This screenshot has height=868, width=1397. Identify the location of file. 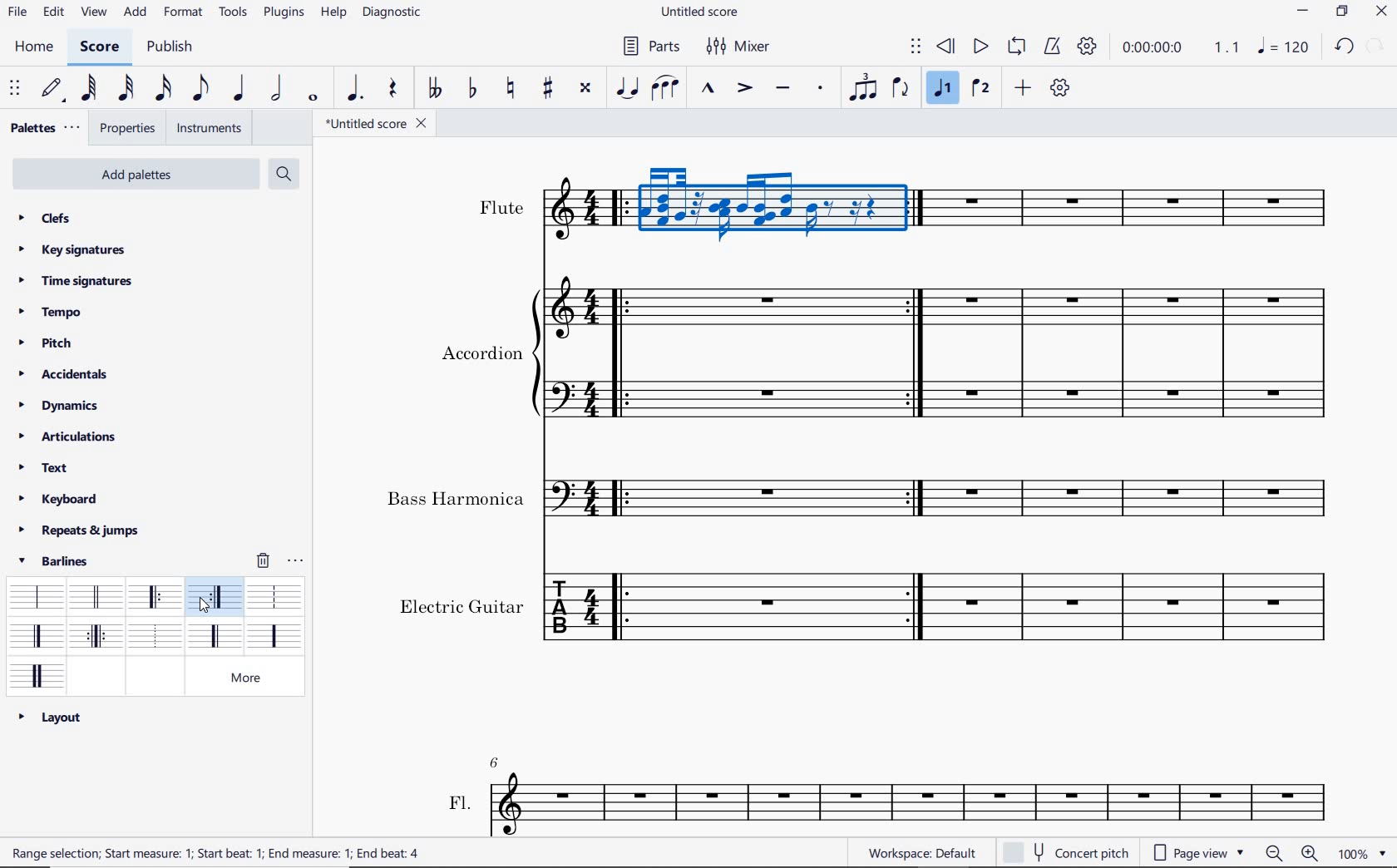
(16, 14).